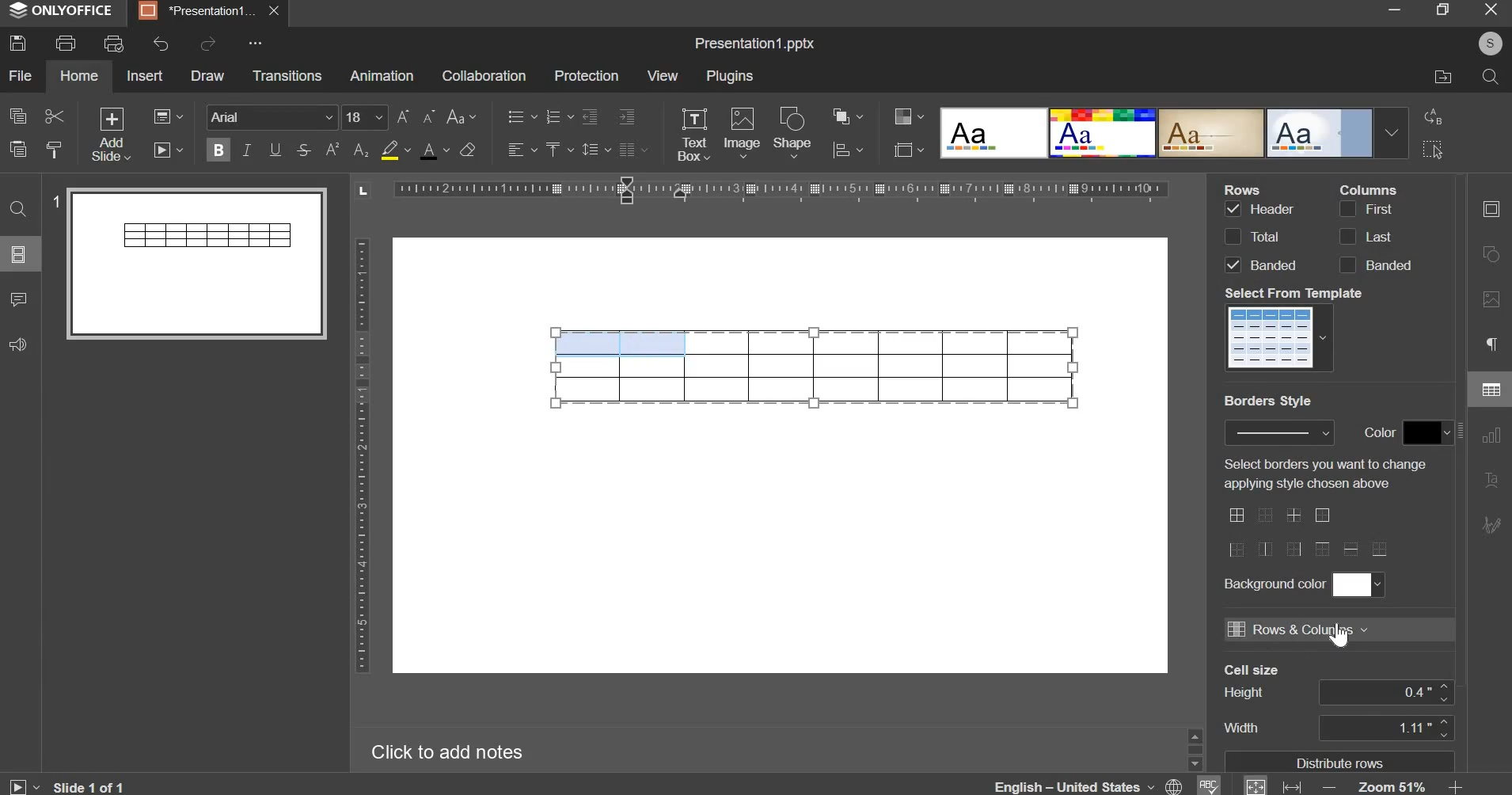  Describe the element at coordinates (1490, 42) in the screenshot. I see `User's account` at that location.